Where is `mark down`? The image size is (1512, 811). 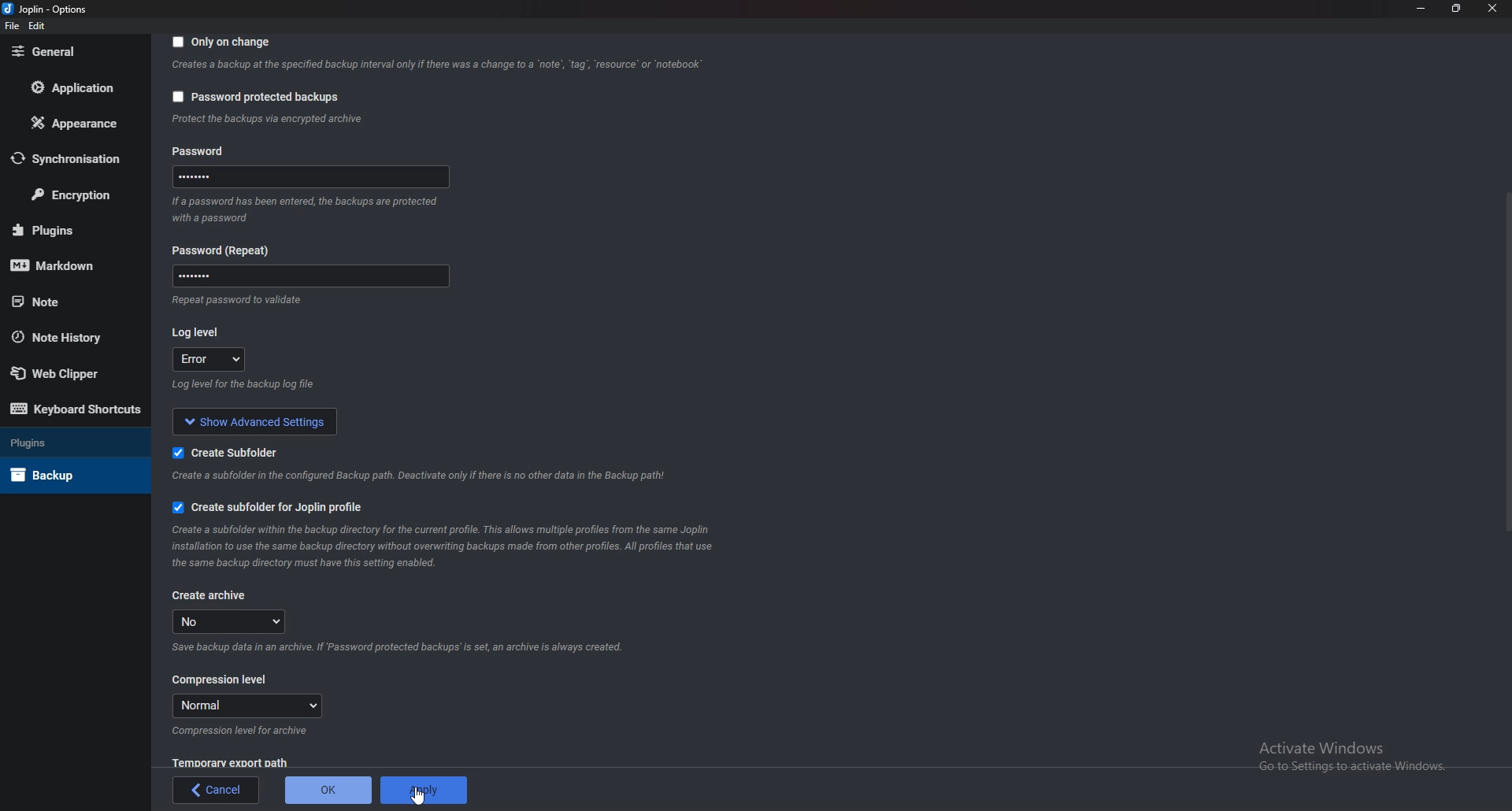
mark down is located at coordinates (64, 267).